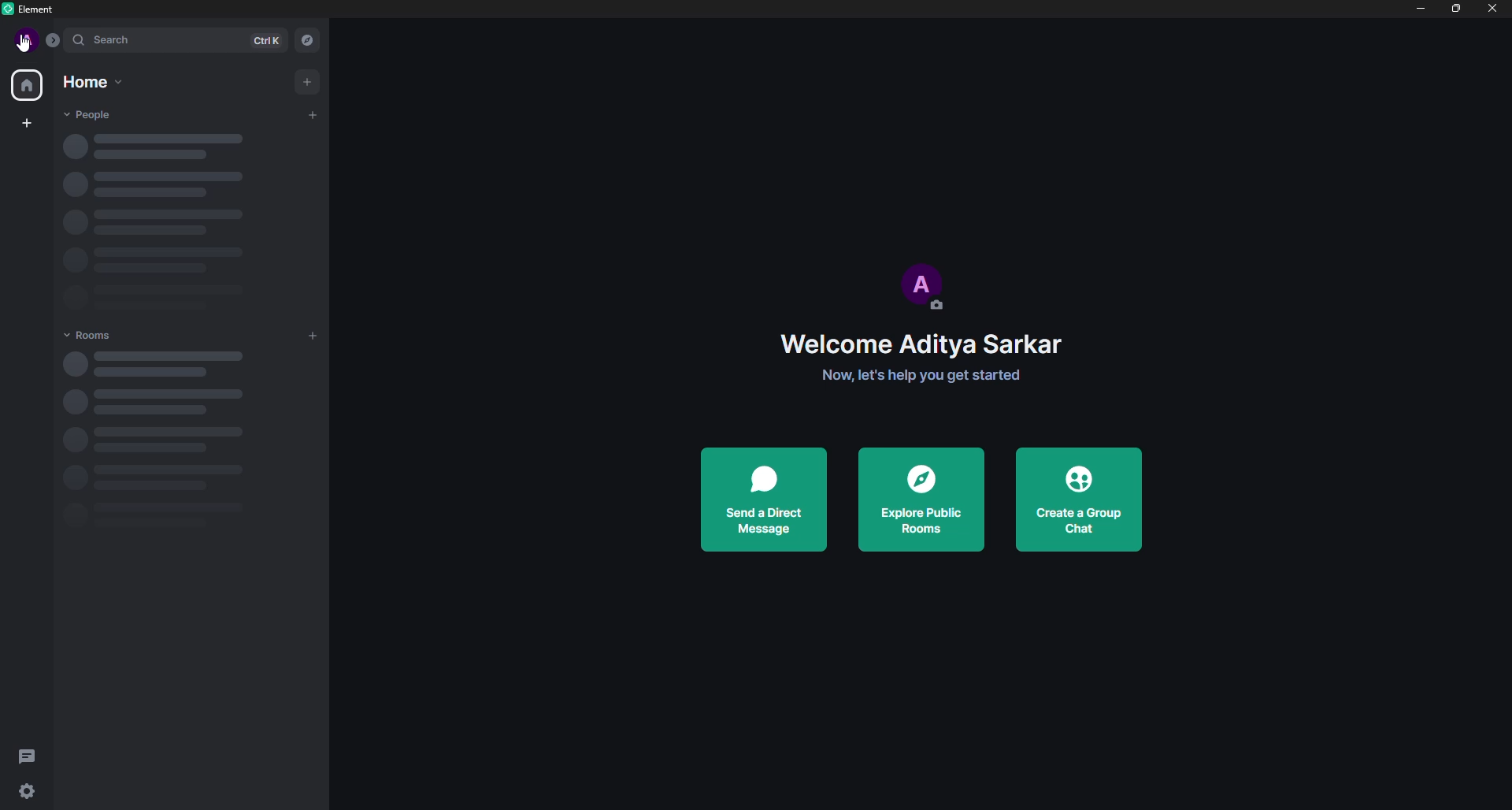 Image resolution: width=1512 pixels, height=810 pixels. I want to click on Home, so click(92, 81).